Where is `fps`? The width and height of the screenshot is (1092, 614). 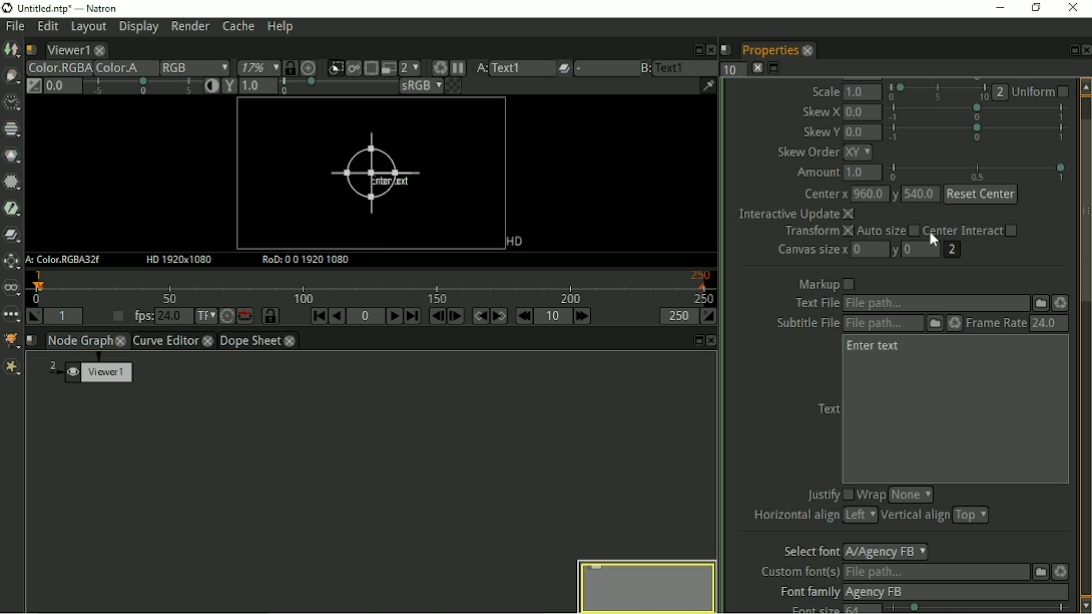 fps is located at coordinates (158, 315).